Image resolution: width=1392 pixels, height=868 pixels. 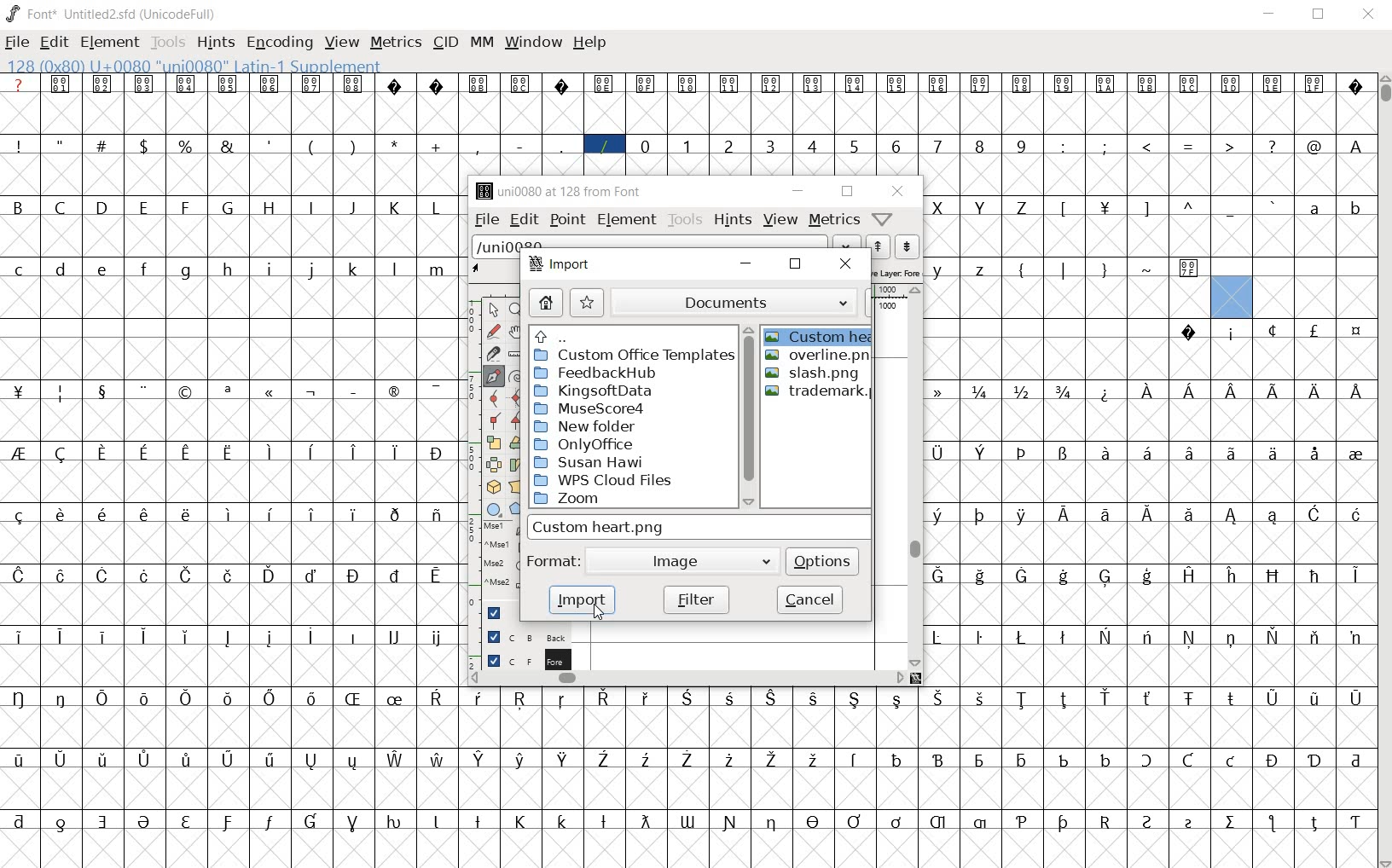 What do you see at coordinates (980, 698) in the screenshot?
I see `glyph` at bounding box center [980, 698].